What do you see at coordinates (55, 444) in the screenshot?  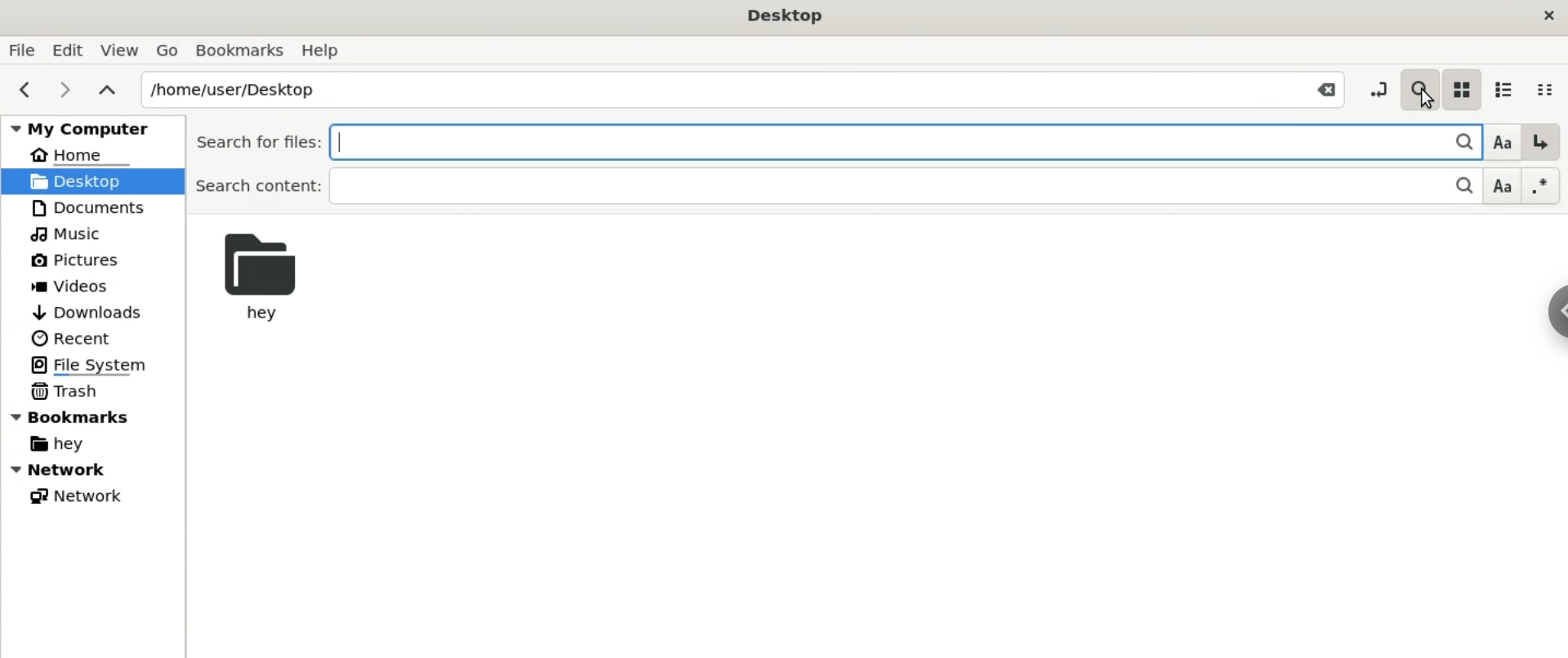 I see `hey` at bounding box center [55, 444].